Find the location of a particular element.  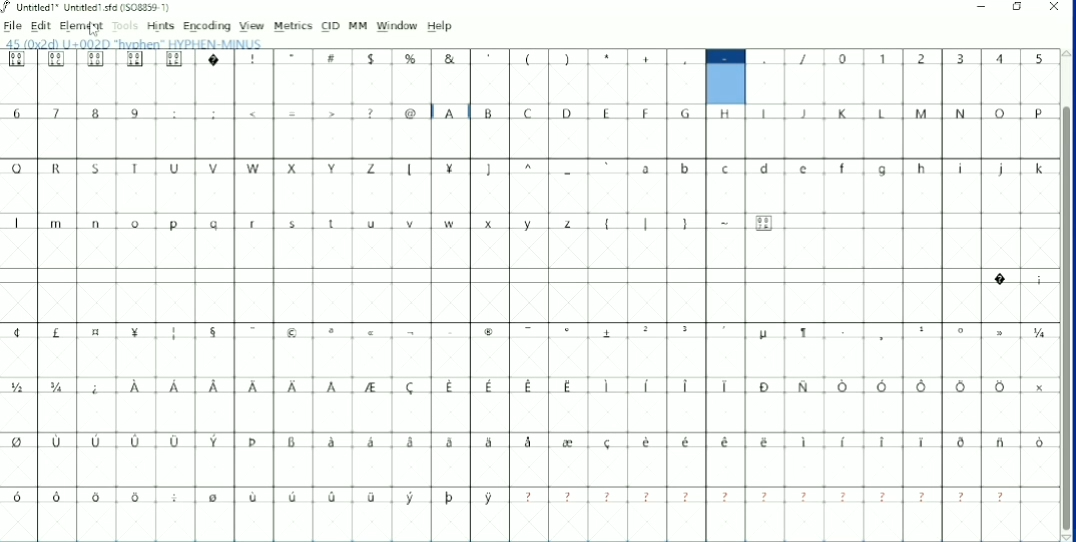

Edit is located at coordinates (41, 26).